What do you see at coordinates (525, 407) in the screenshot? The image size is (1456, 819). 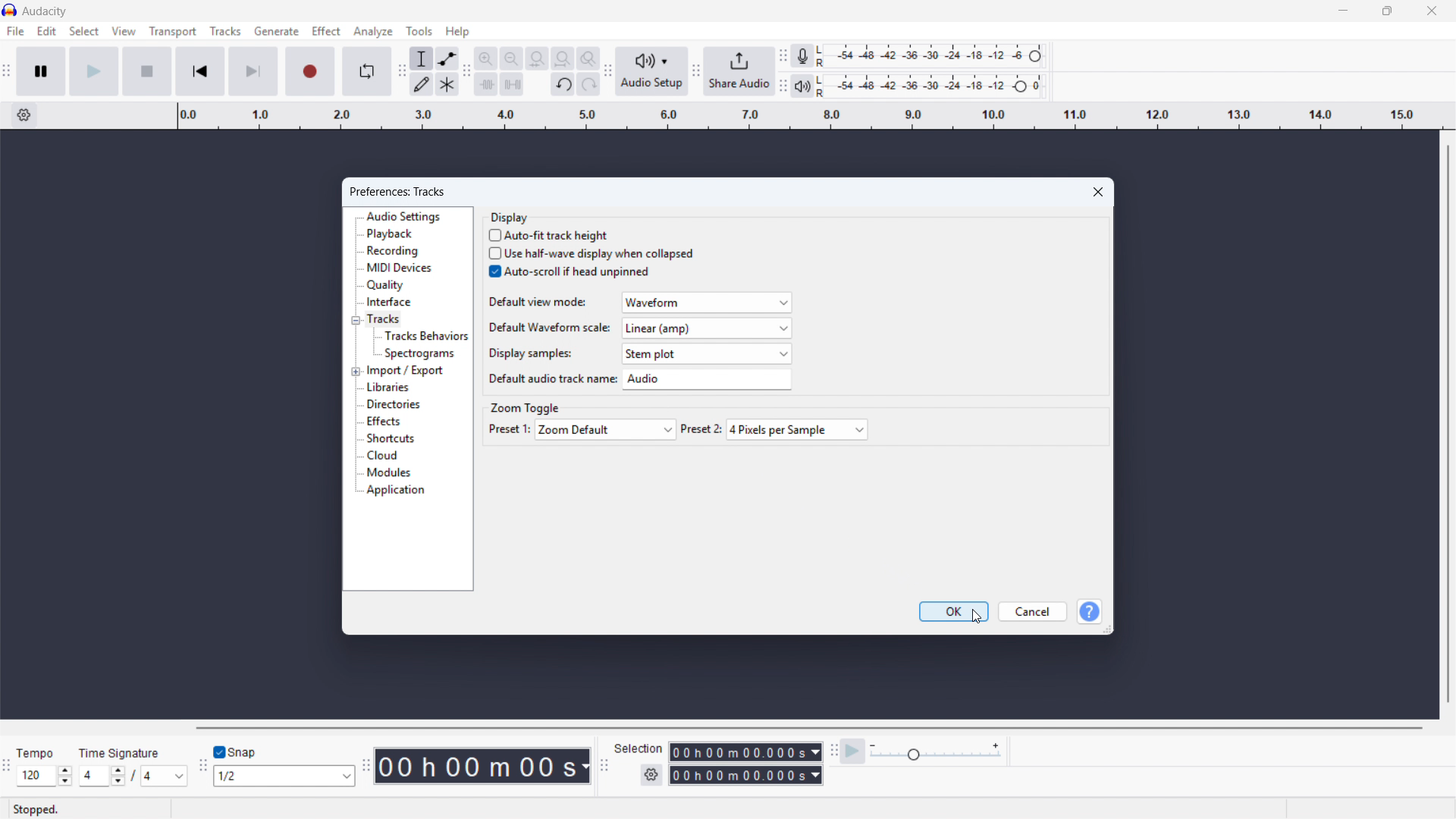 I see `zoom toggle` at bounding box center [525, 407].